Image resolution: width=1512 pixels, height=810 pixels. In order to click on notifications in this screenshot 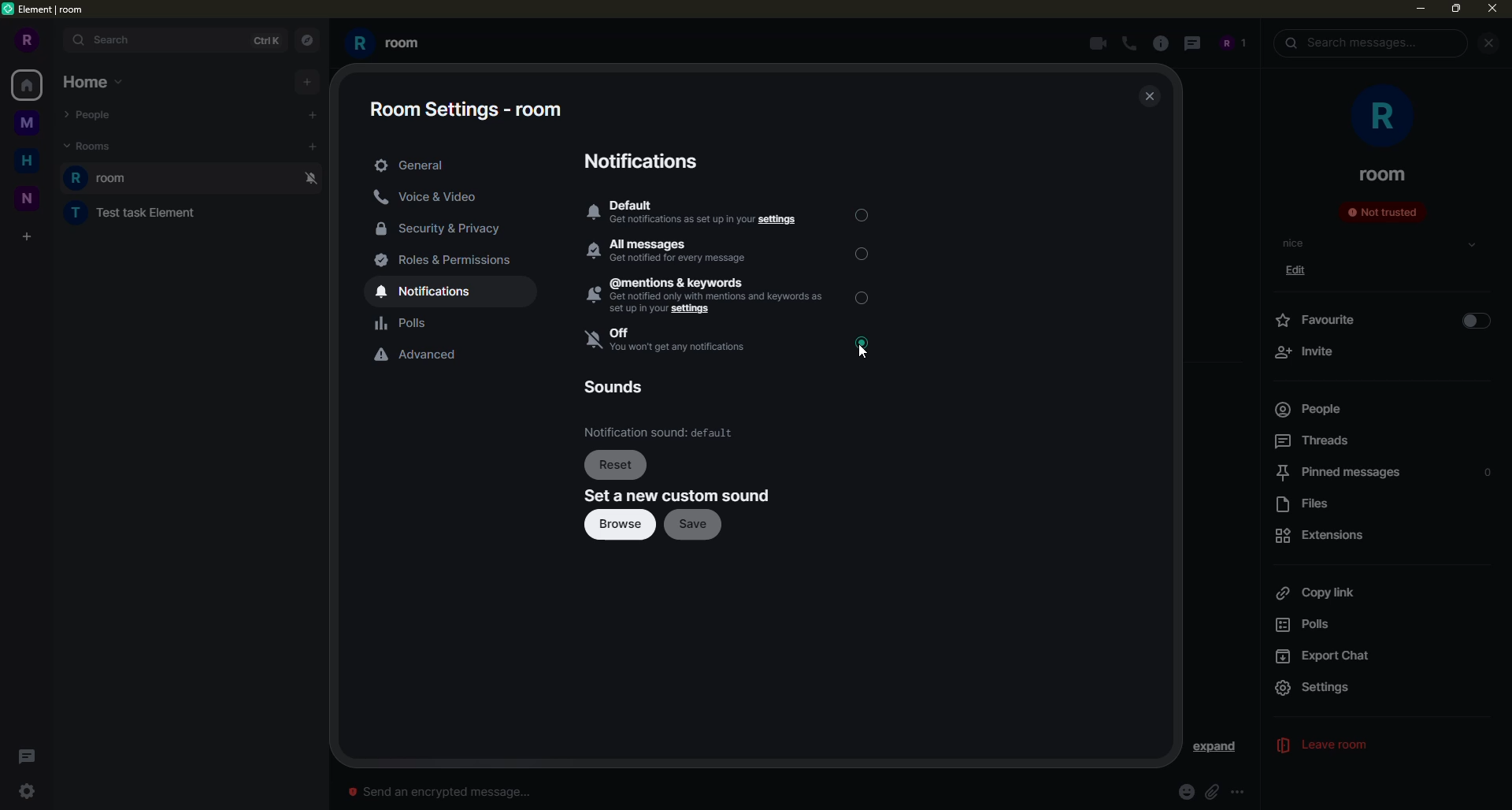, I will do `click(647, 160)`.